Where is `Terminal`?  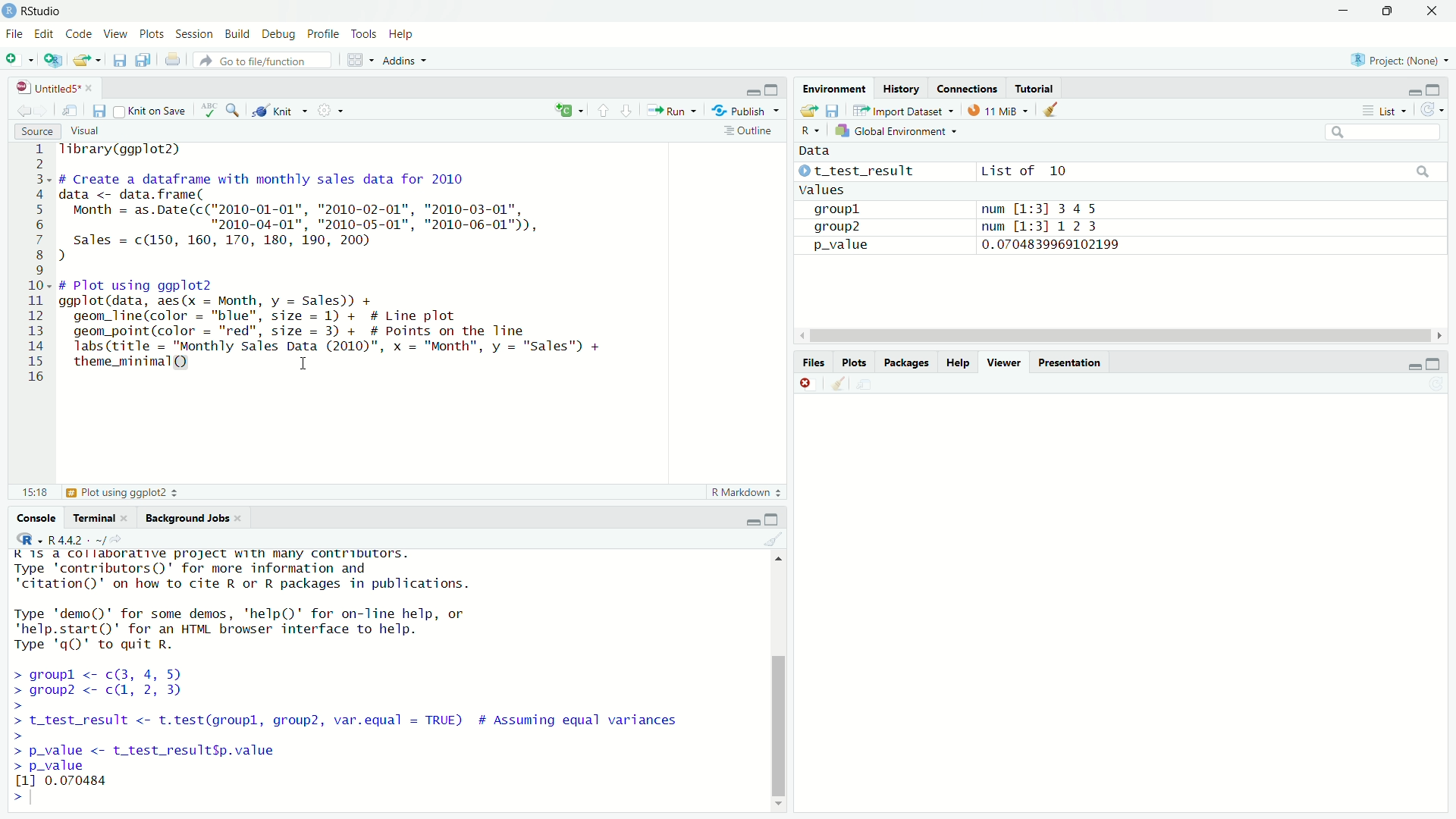
Terminal is located at coordinates (98, 516).